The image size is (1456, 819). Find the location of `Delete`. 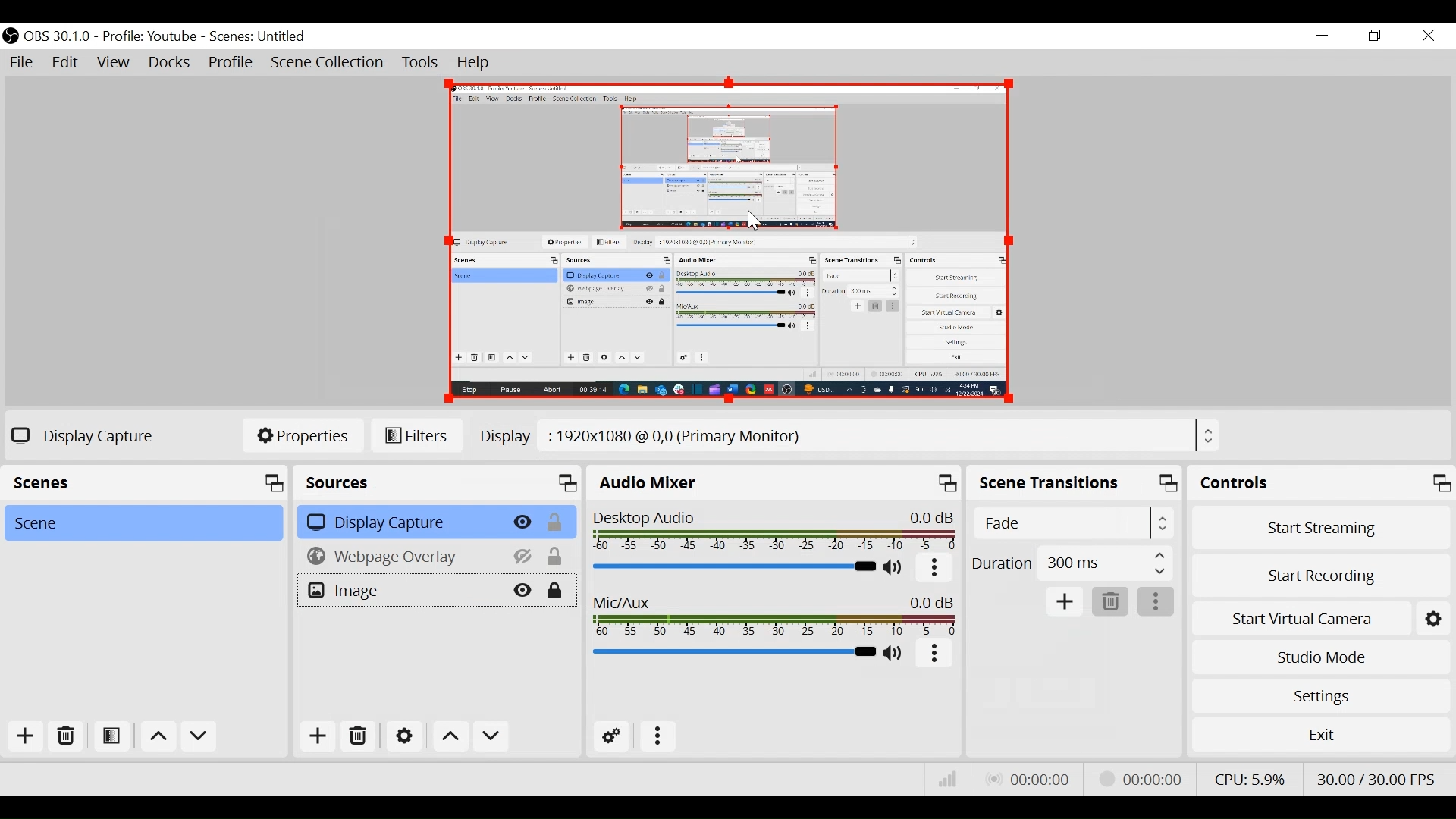

Delete is located at coordinates (1109, 602).